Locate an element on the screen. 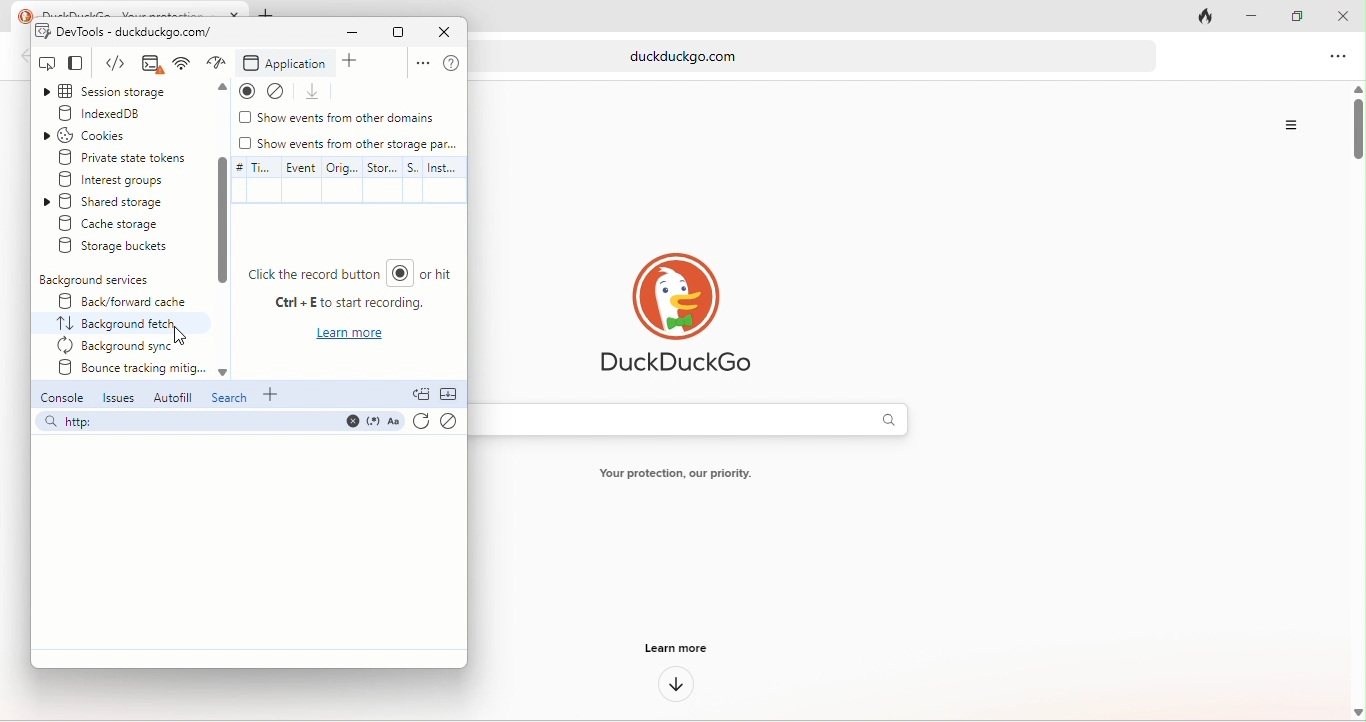 Image resolution: width=1366 pixels, height=722 pixels. duck duck go logo is located at coordinates (674, 314).